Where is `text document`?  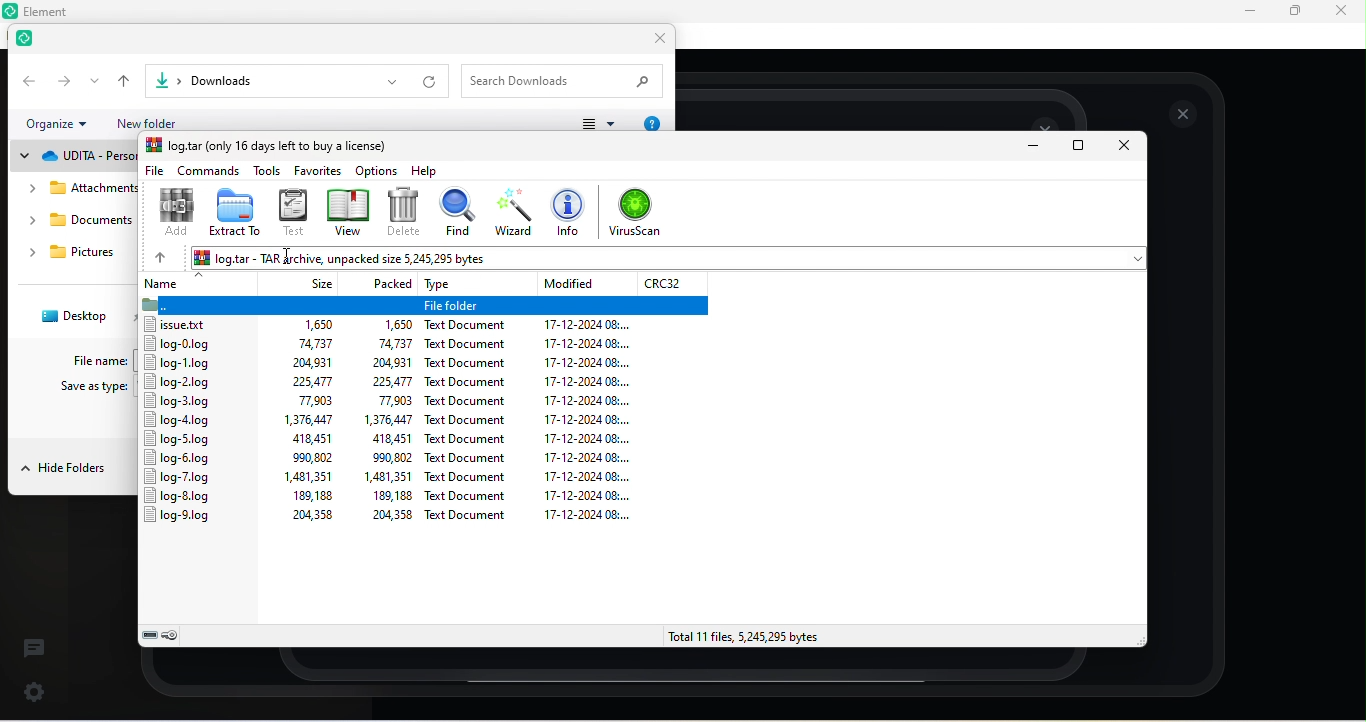
text document is located at coordinates (466, 420).